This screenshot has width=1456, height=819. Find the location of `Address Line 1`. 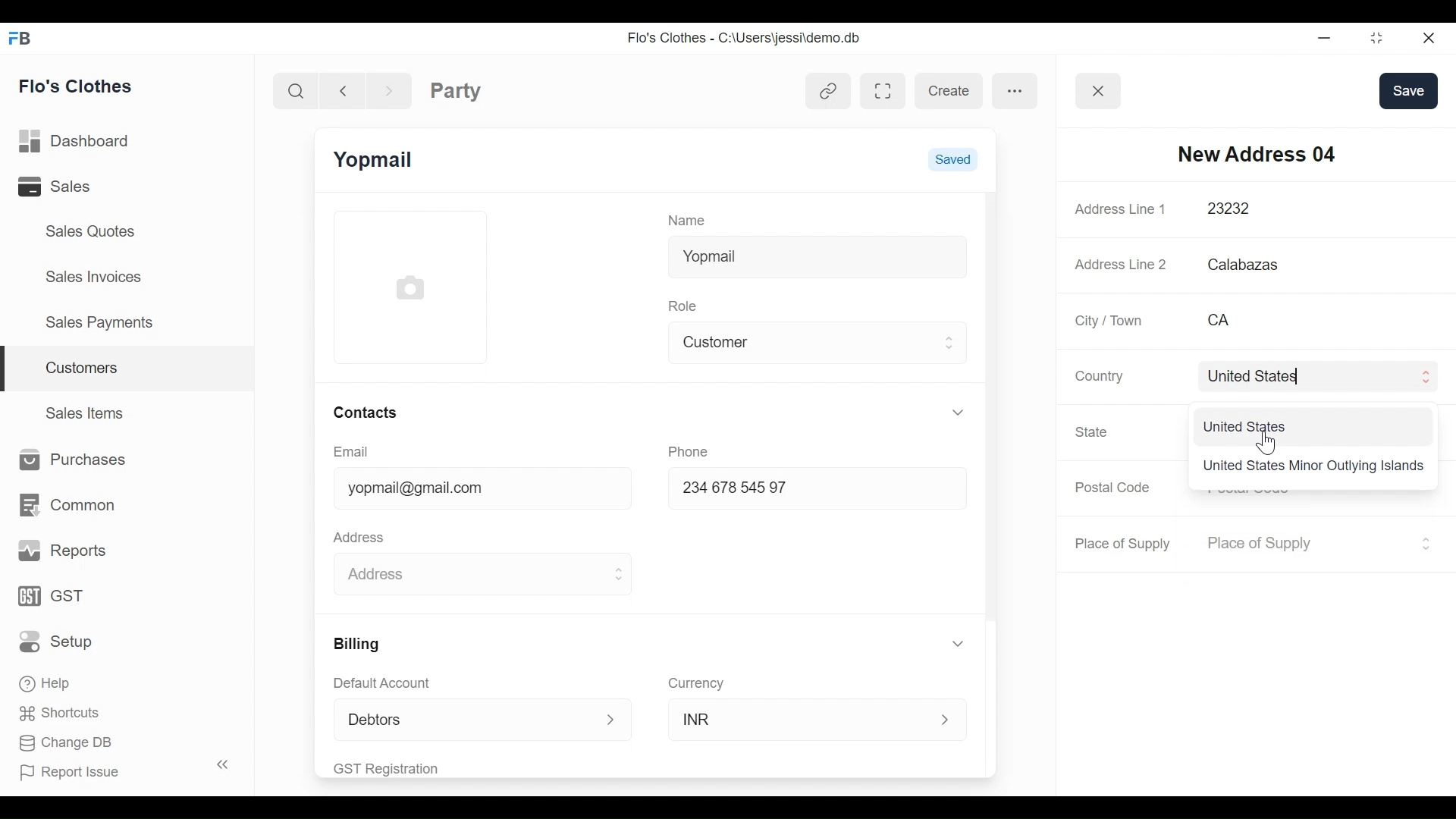

Address Line 1 is located at coordinates (1122, 209).